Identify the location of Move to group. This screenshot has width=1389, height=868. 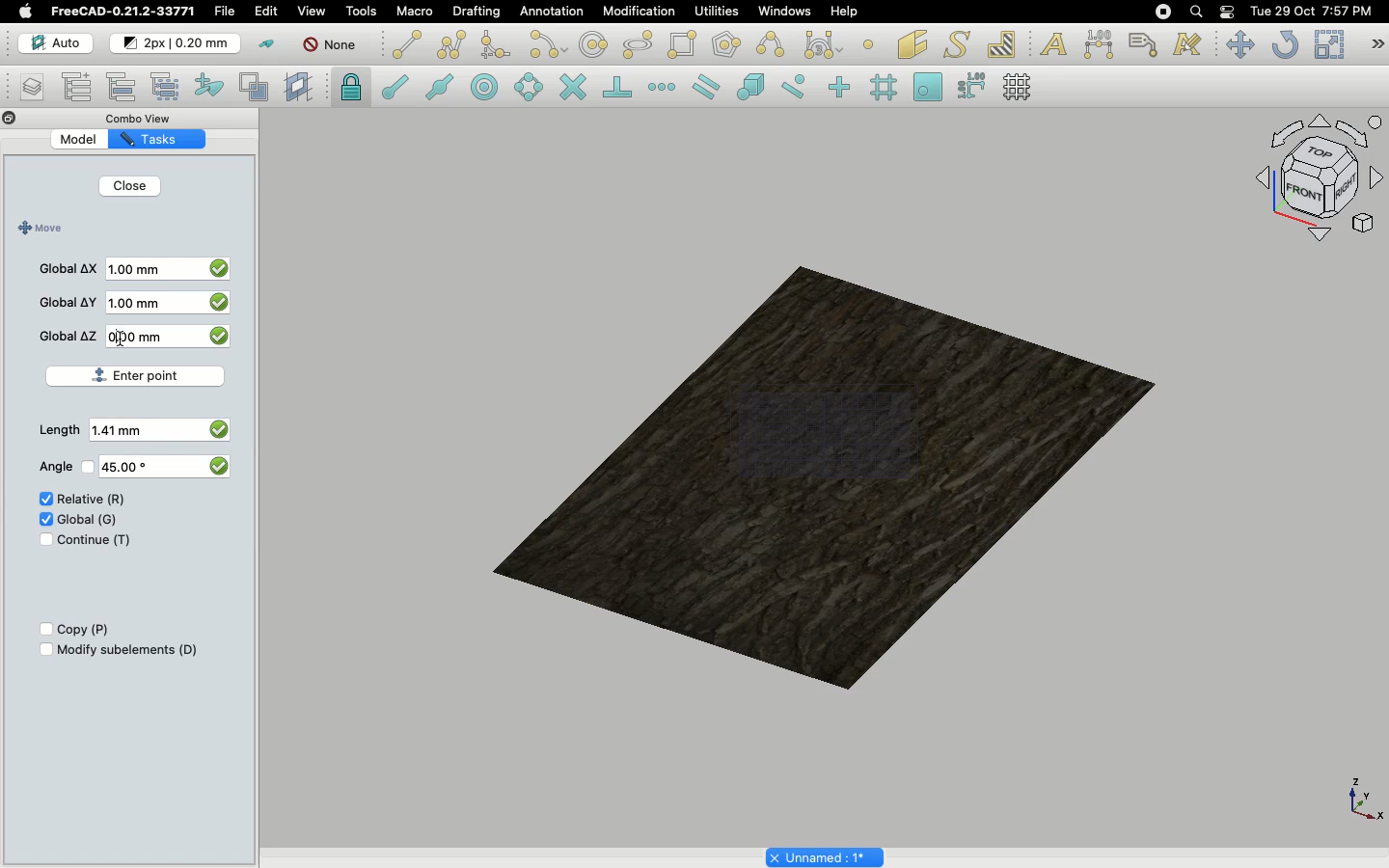
(124, 87).